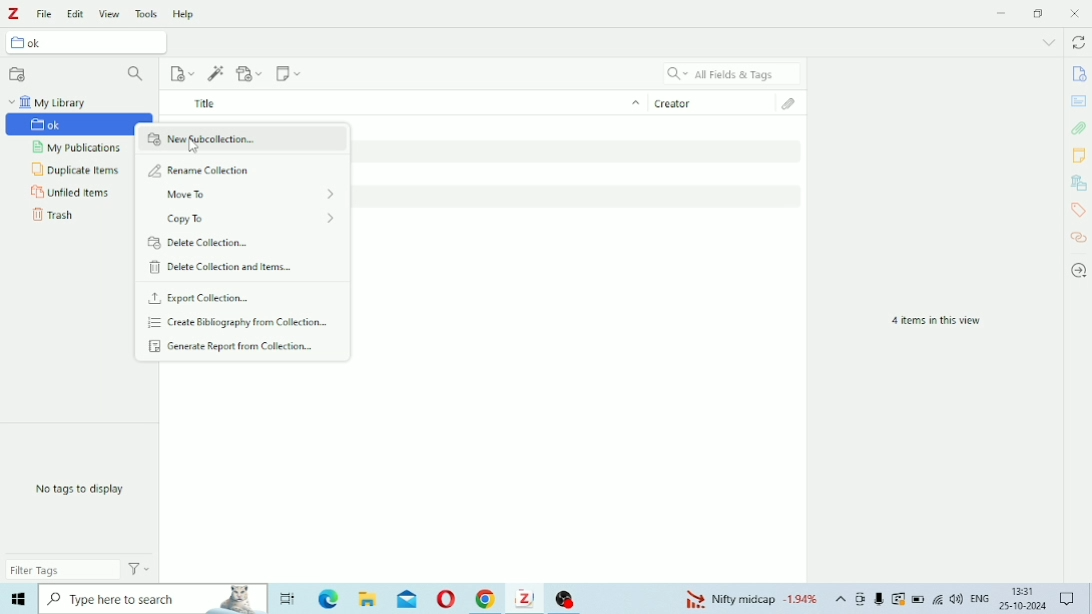 This screenshot has height=614, width=1092. Describe the element at coordinates (242, 140) in the screenshot. I see `New Subcollection` at that location.